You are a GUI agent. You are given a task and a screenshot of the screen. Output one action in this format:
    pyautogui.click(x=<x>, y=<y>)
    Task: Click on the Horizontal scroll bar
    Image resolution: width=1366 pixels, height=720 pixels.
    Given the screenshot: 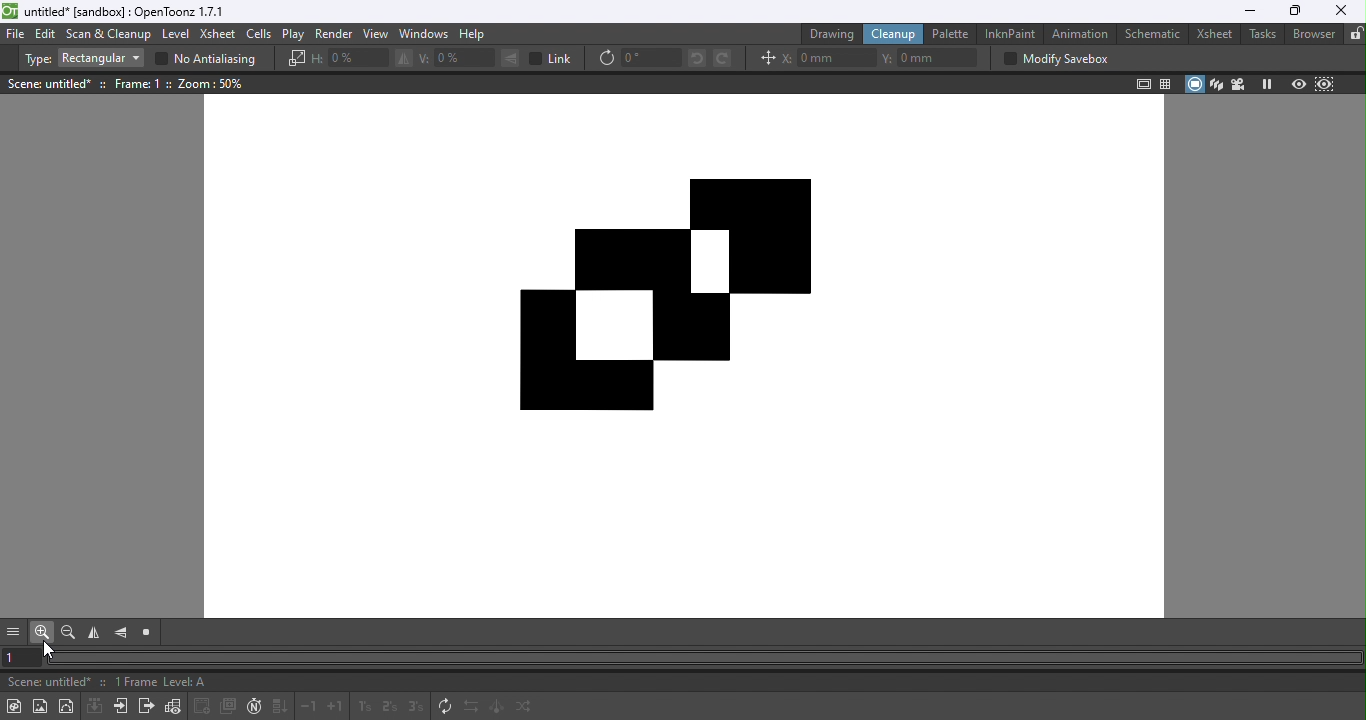 What is the action you would take?
    pyautogui.click(x=704, y=658)
    